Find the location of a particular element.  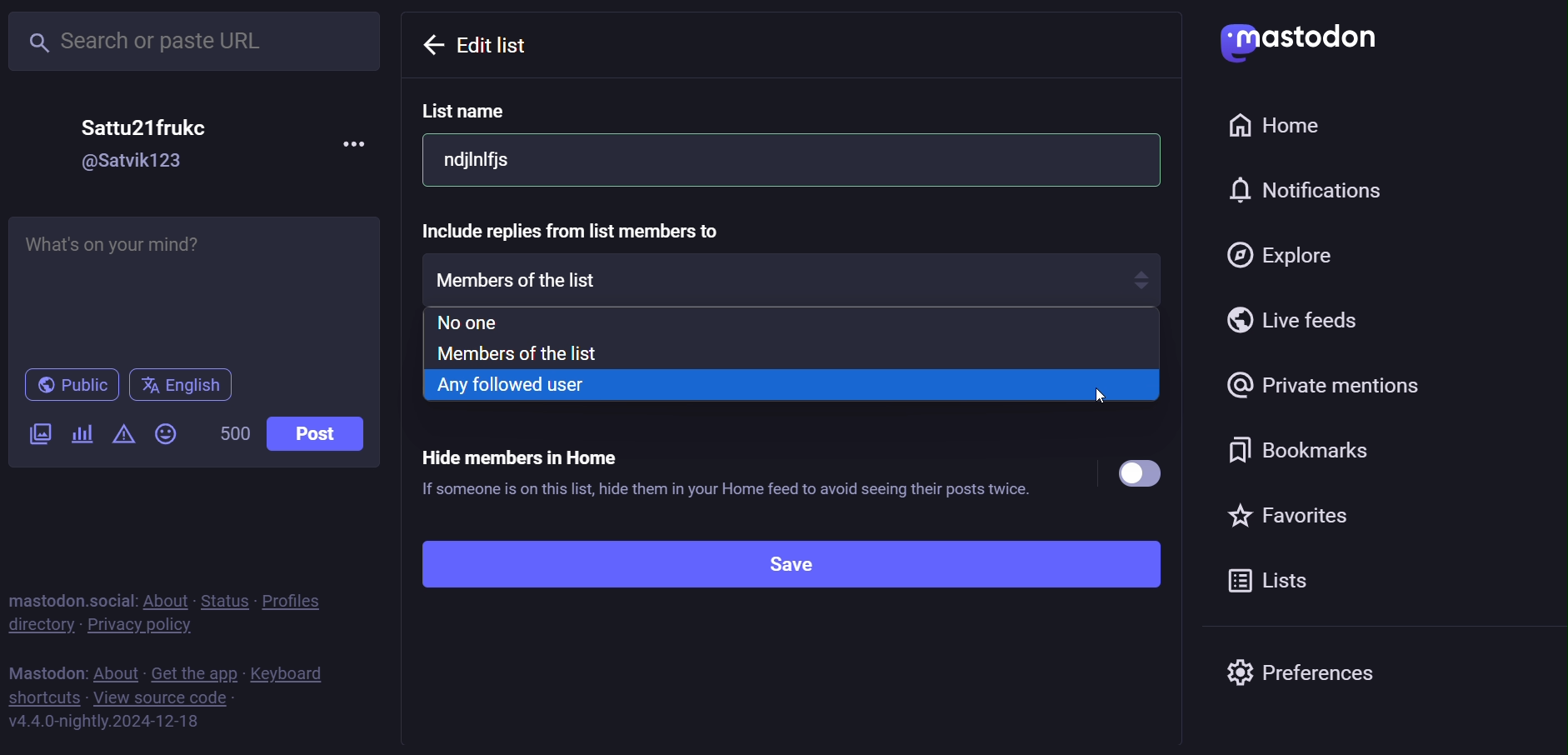

members of the list is located at coordinates (601, 352).